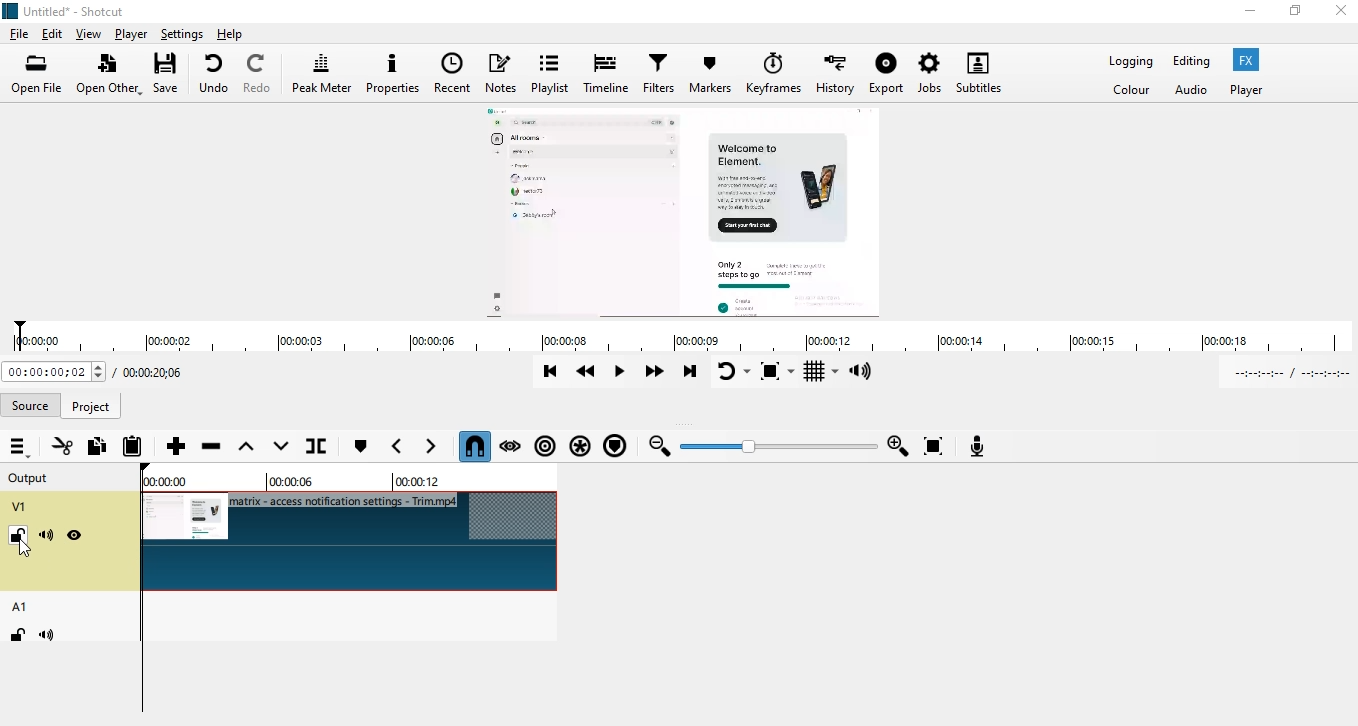 This screenshot has height=726, width=1358. Describe the element at coordinates (75, 536) in the screenshot. I see `hide` at that location.